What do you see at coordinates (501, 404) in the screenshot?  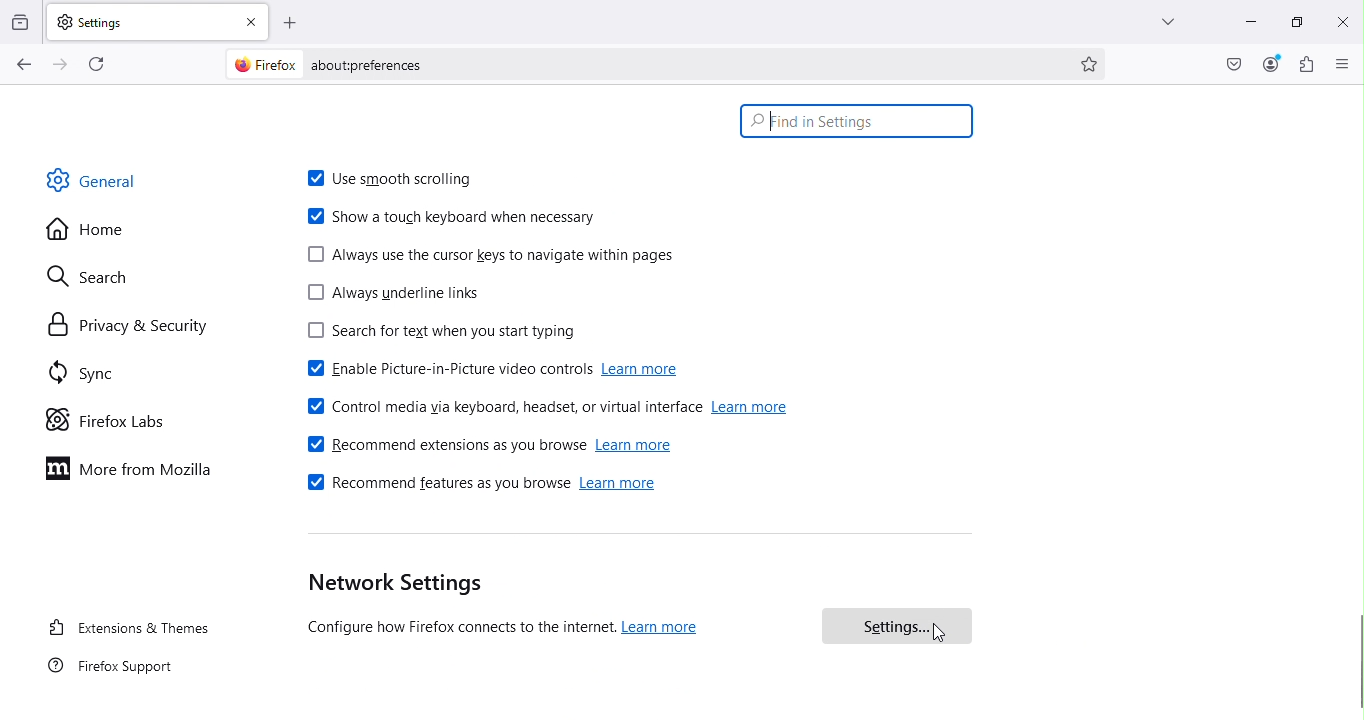 I see `Control media via keyboard, headset or virtual interface` at bounding box center [501, 404].